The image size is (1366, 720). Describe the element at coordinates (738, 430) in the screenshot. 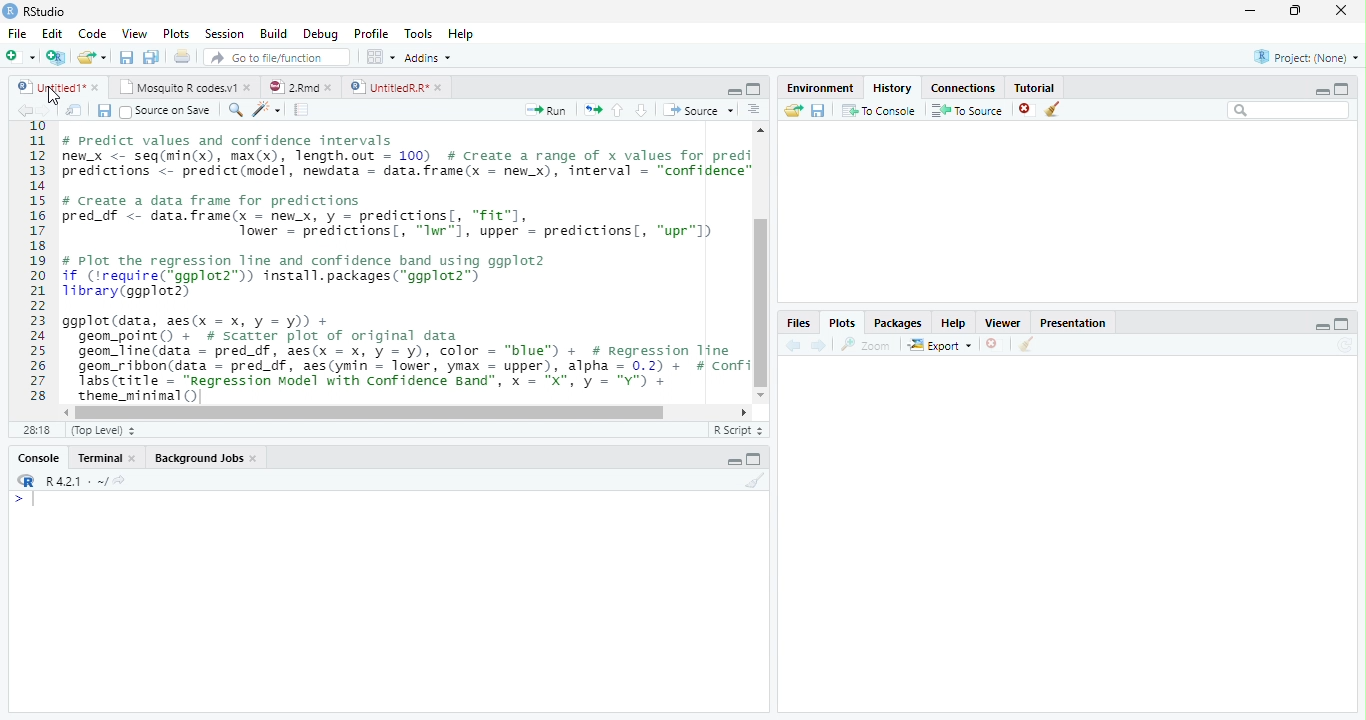

I see `R script` at that location.